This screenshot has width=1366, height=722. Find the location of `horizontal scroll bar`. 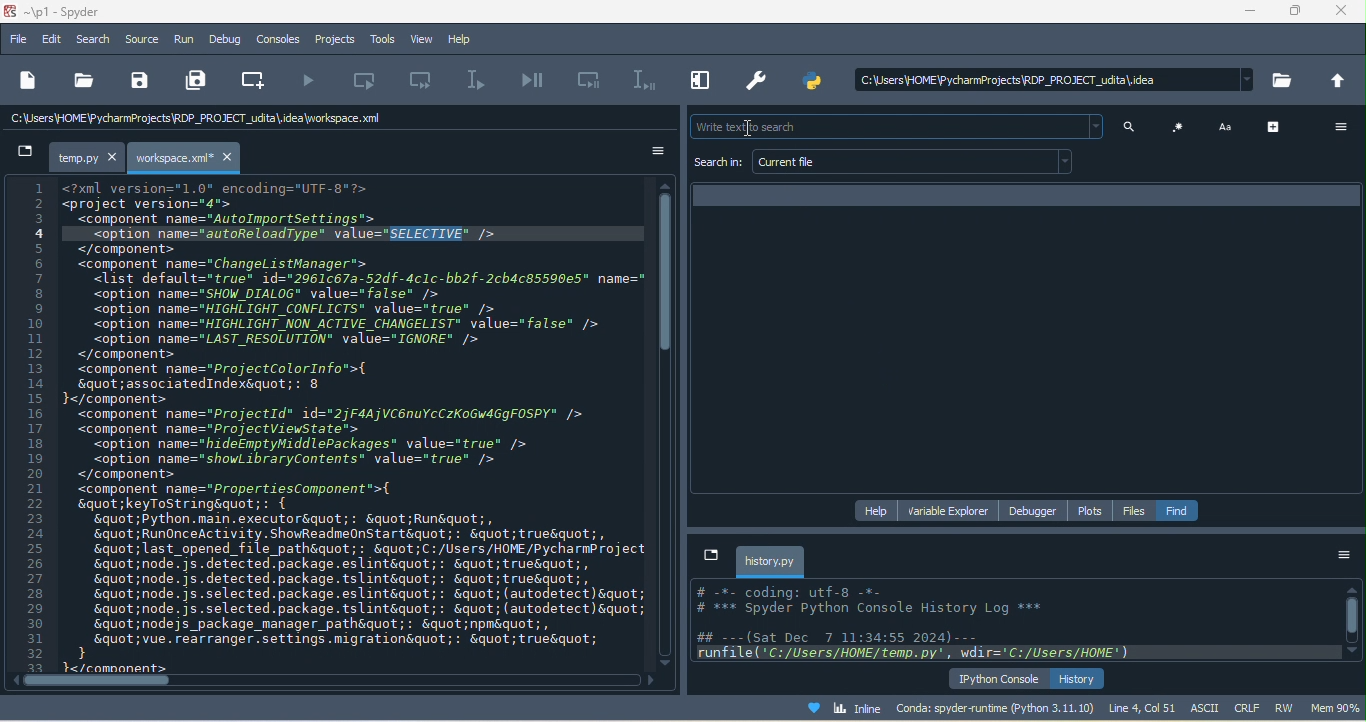

horizontal scroll bar is located at coordinates (84, 682).